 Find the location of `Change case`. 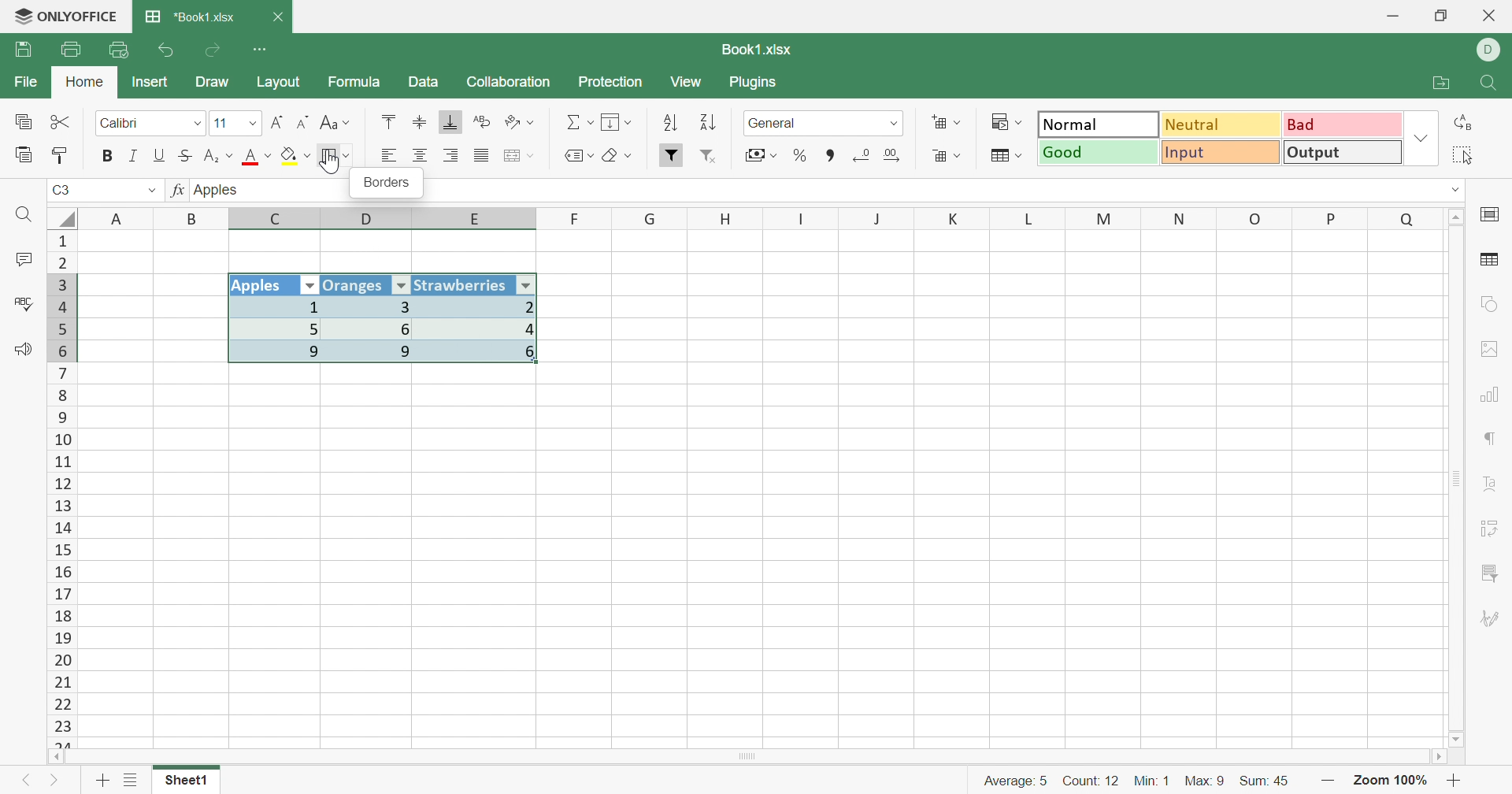

Change case is located at coordinates (335, 124).